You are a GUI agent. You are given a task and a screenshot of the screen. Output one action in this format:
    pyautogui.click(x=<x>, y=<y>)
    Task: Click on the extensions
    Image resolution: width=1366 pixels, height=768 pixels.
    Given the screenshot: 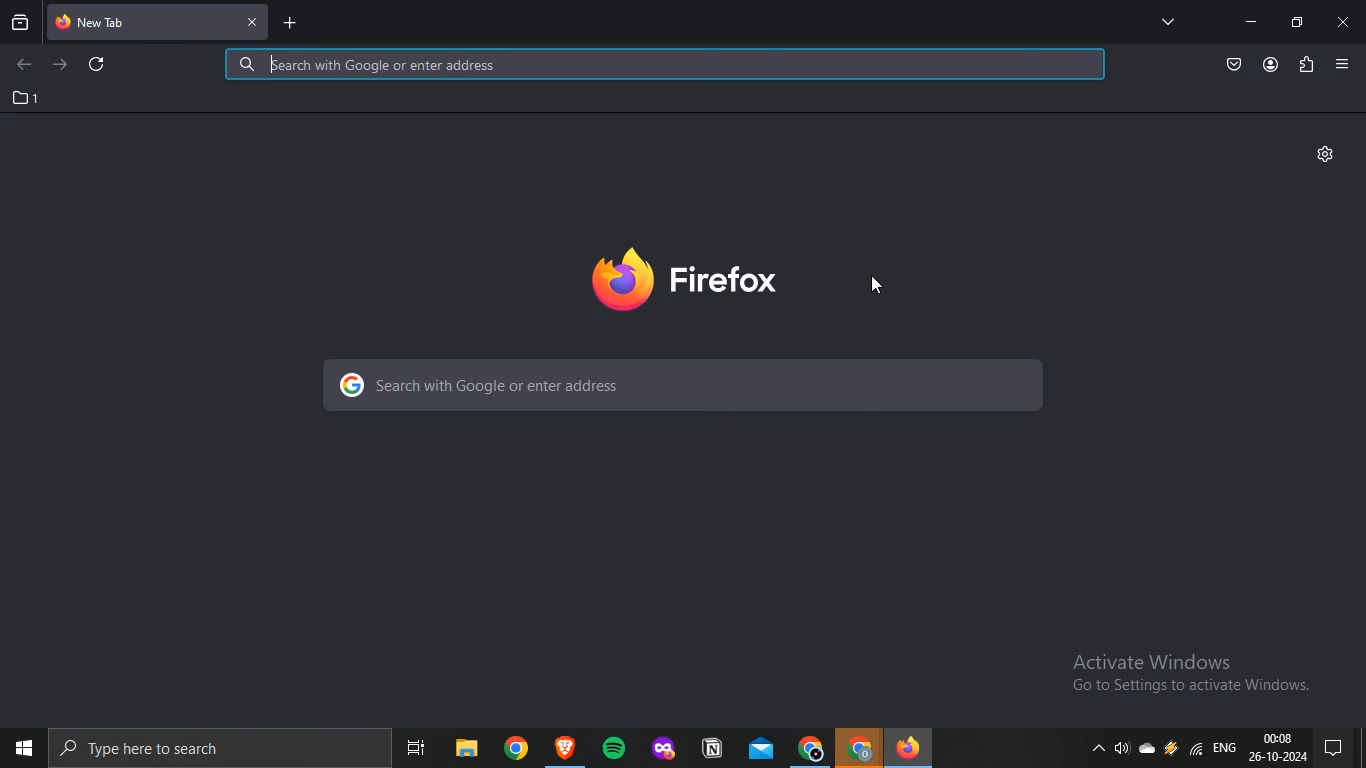 What is the action you would take?
    pyautogui.click(x=1307, y=66)
    